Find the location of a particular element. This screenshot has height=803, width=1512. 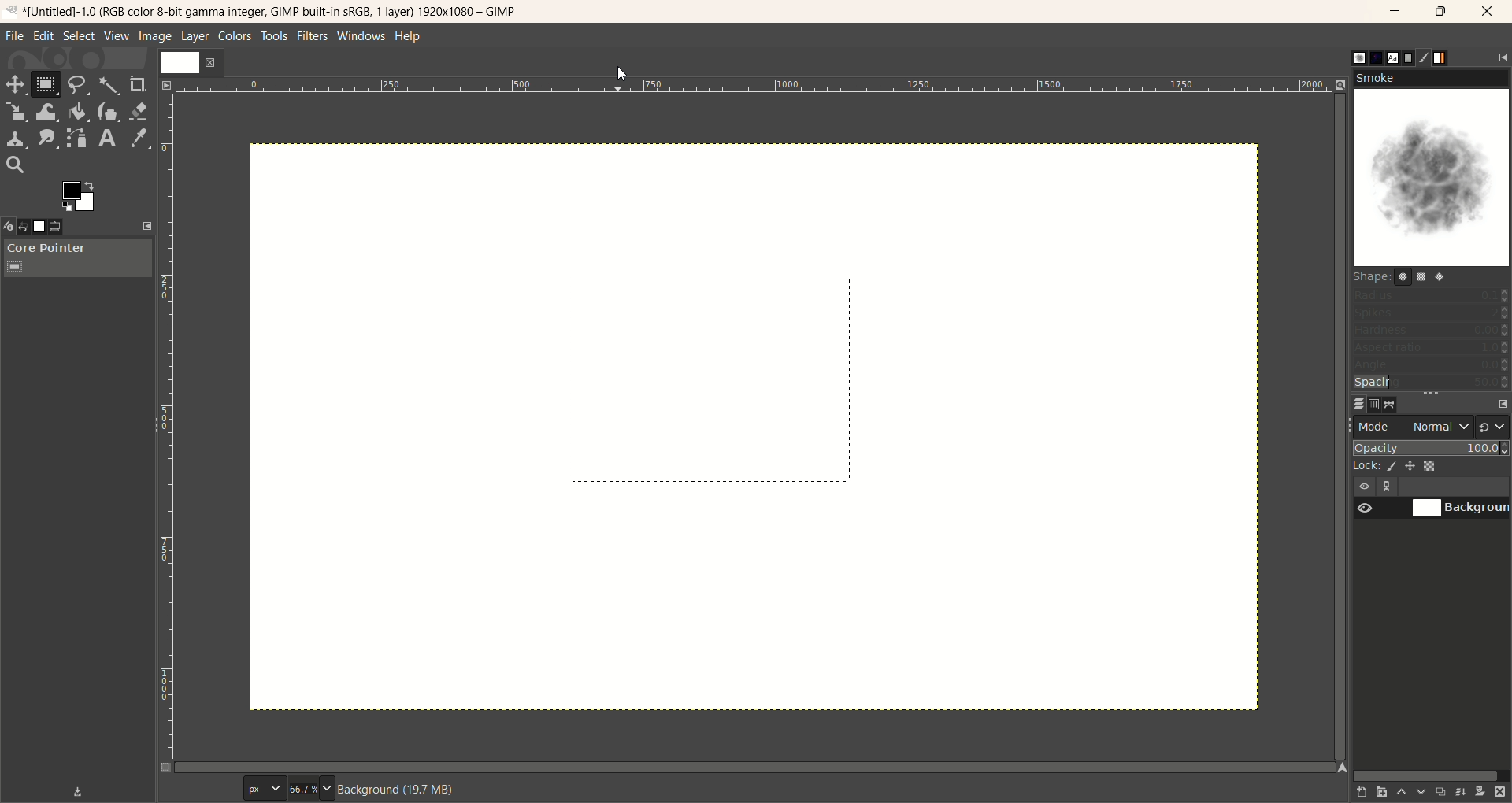

colors is located at coordinates (235, 36).